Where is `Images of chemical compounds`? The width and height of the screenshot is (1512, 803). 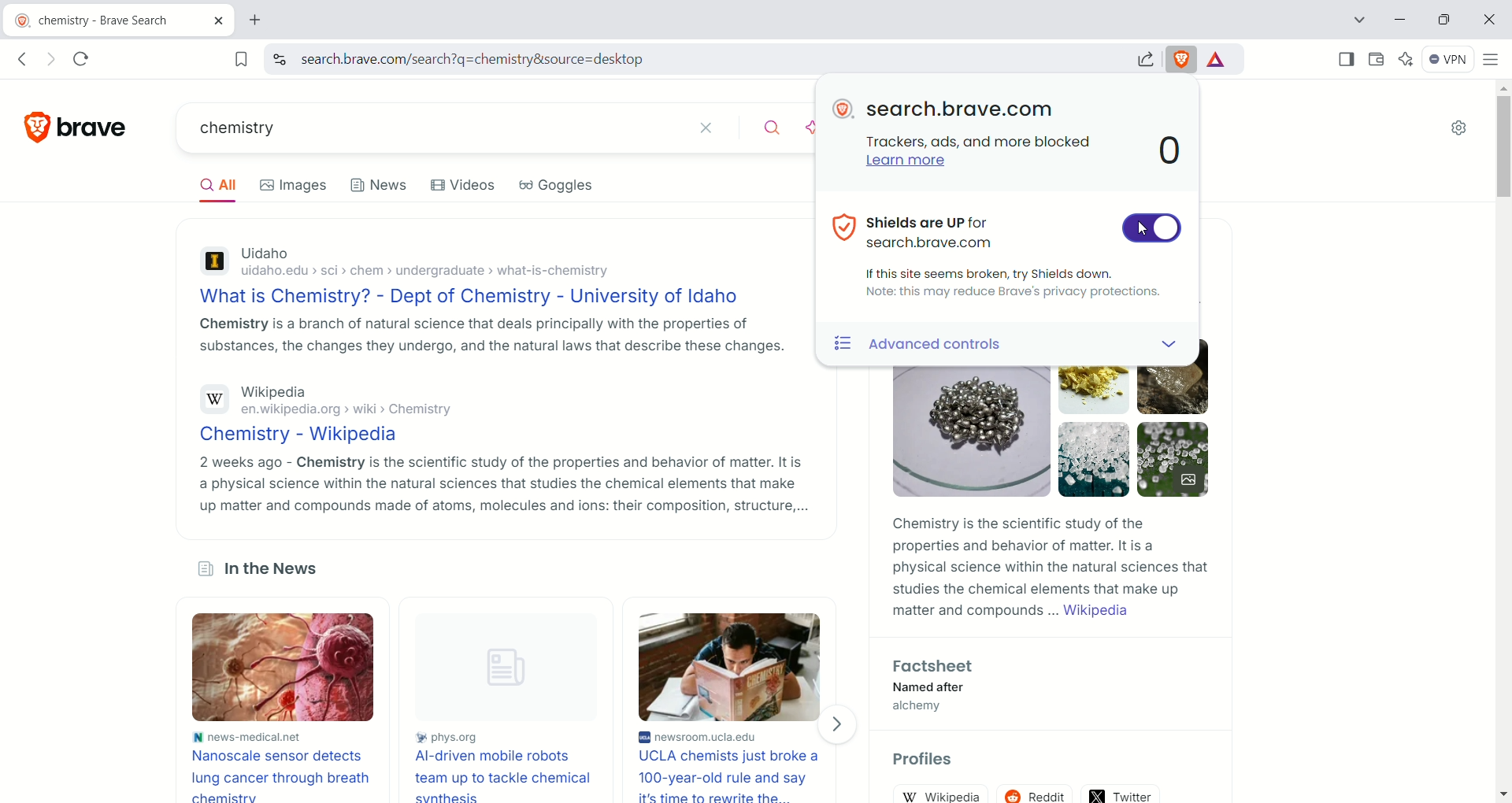 Images of chemical compounds is located at coordinates (1046, 436).